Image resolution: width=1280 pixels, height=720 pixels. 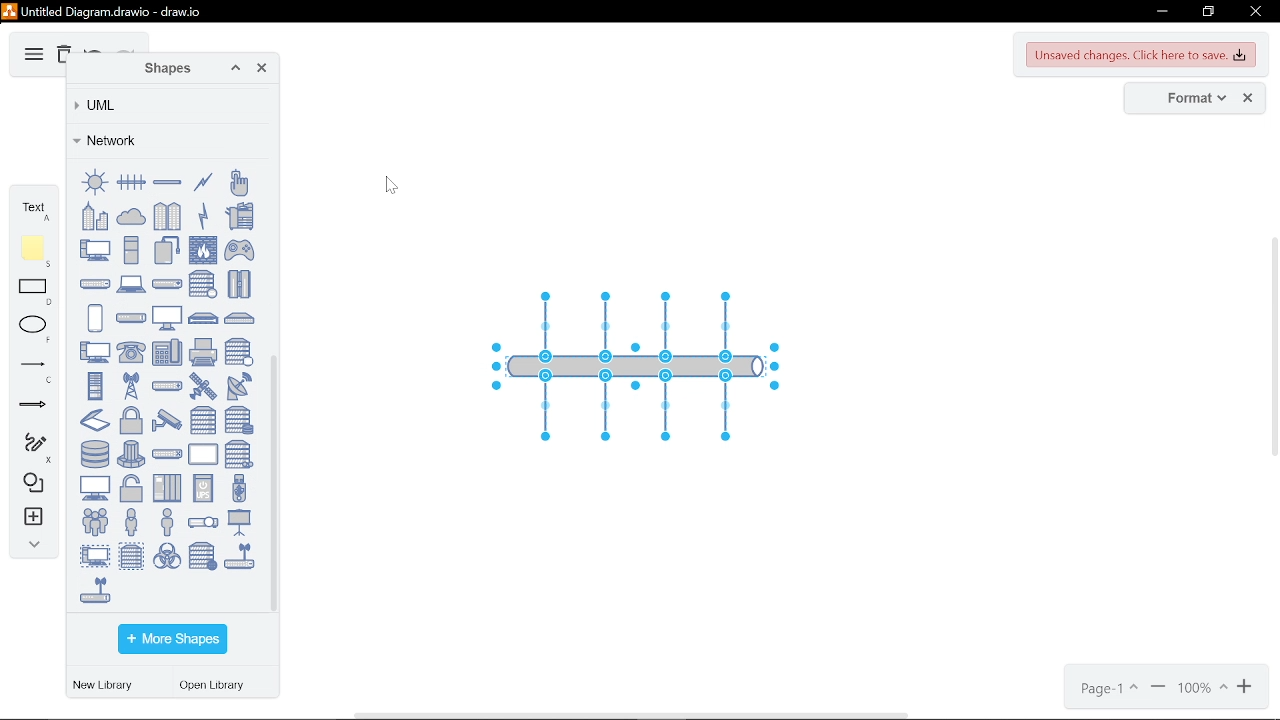 I want to click on rectangle, so click(x=36, y=293).